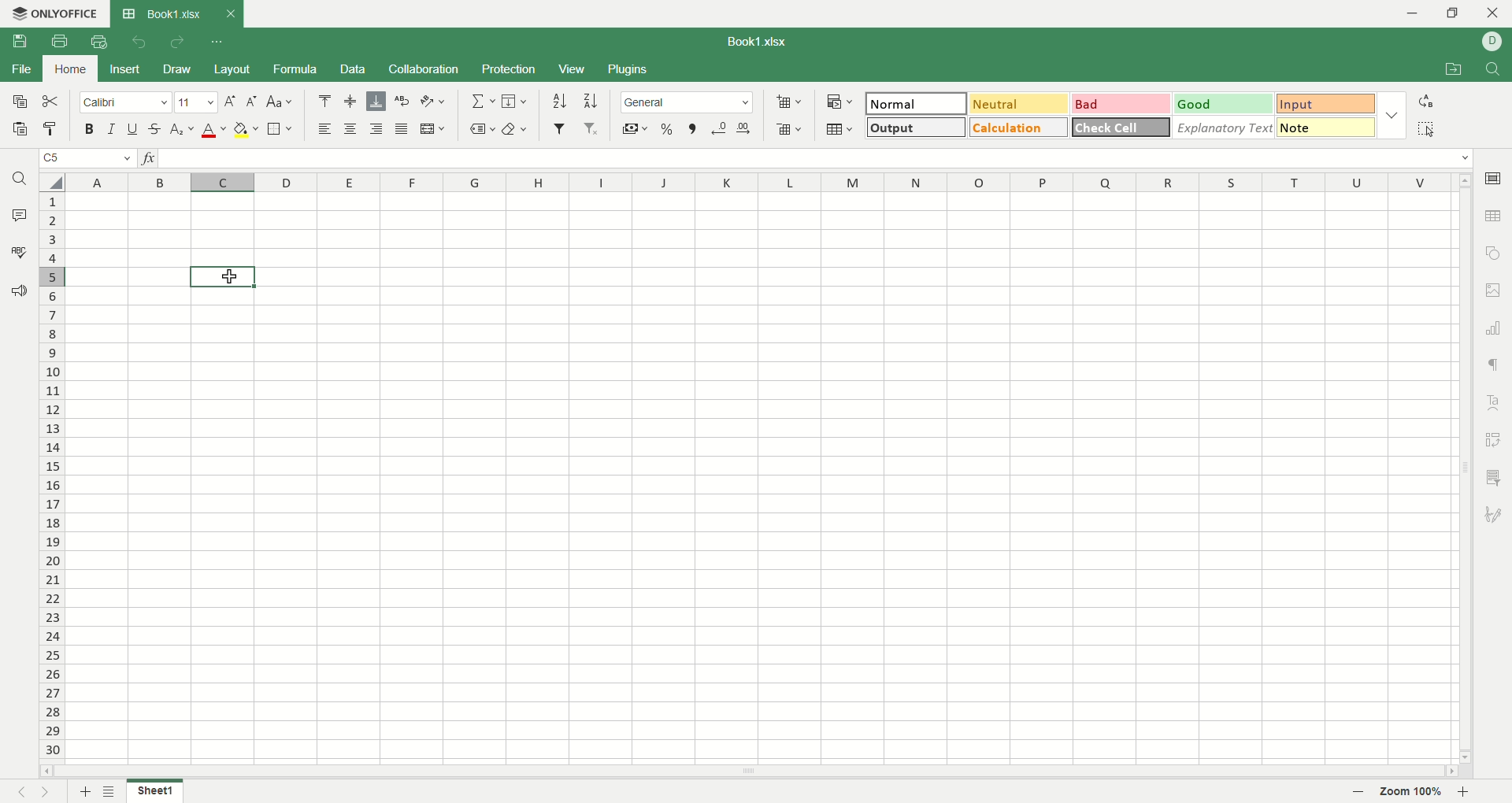  I want to click on formula, so click(299, 69).